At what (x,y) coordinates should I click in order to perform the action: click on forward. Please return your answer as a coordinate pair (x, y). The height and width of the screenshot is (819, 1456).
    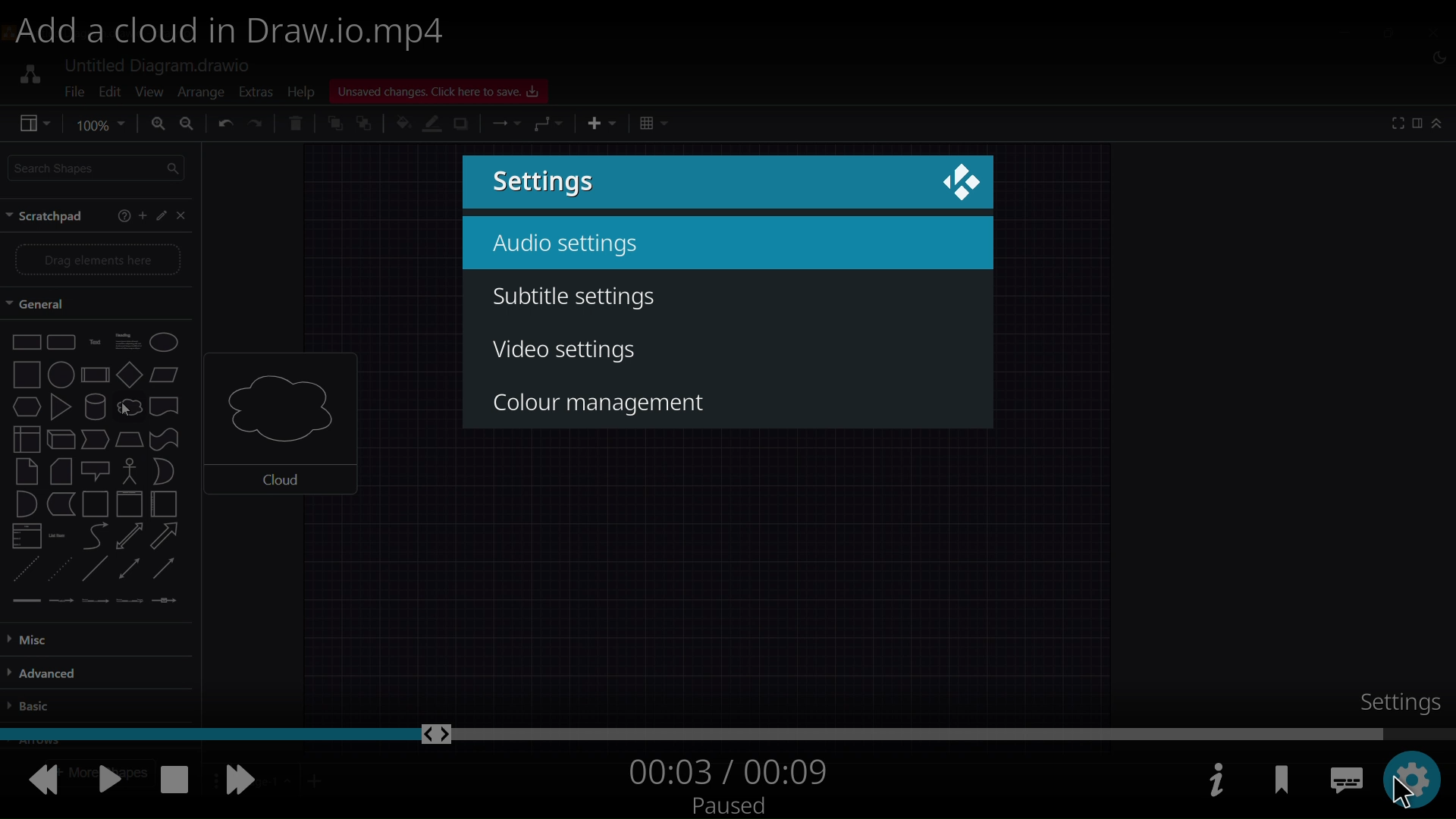
    Looking at the image, I should click on (243, 777).